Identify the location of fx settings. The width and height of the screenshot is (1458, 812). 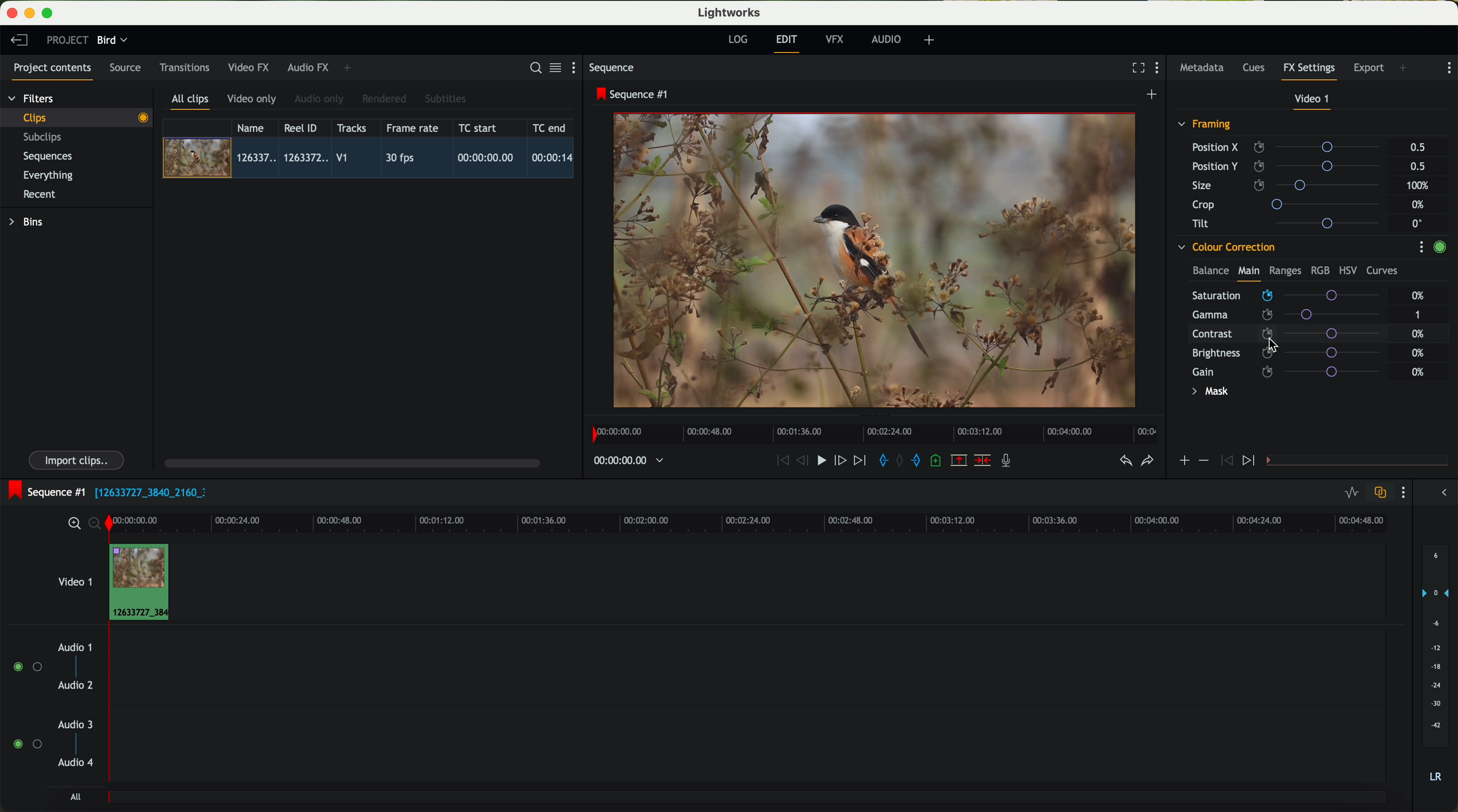
(1309, 71).